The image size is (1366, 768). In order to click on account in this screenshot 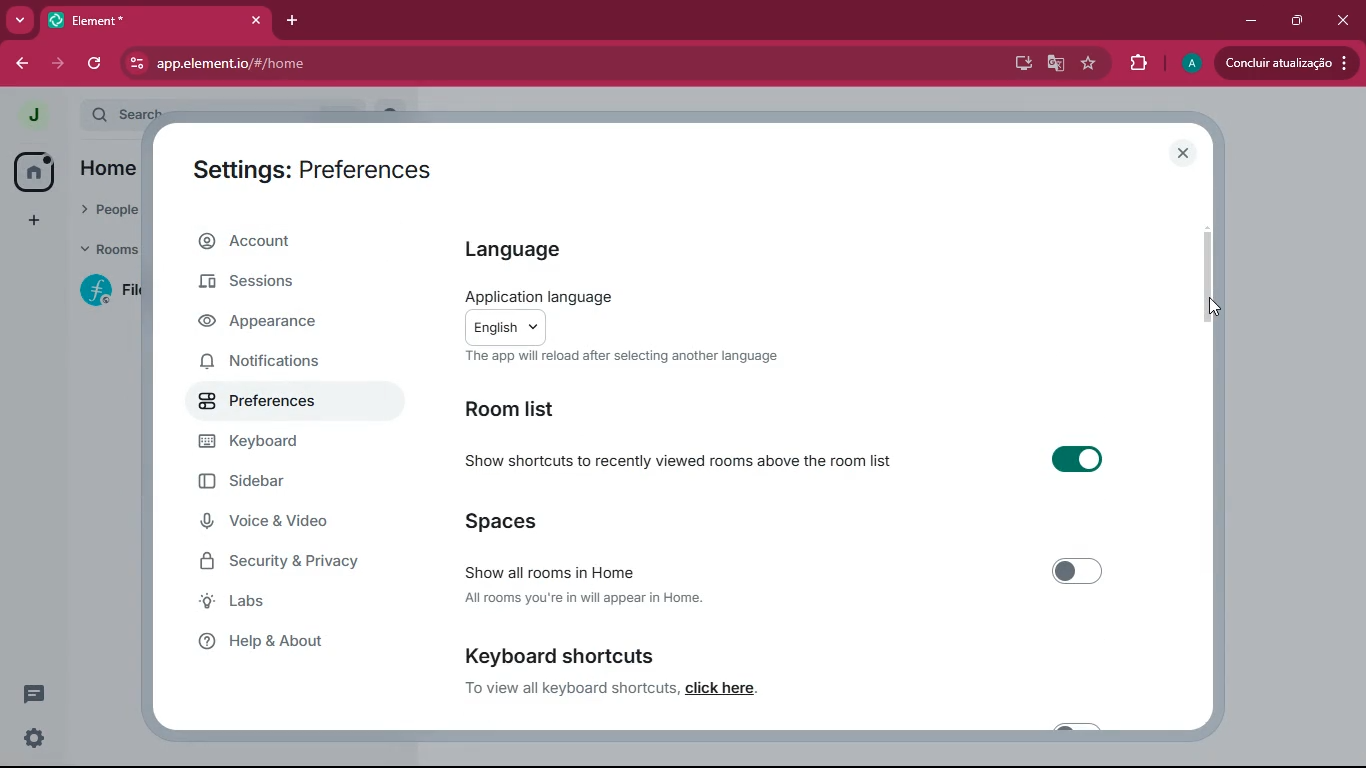, I will do `click(292, 240)`.